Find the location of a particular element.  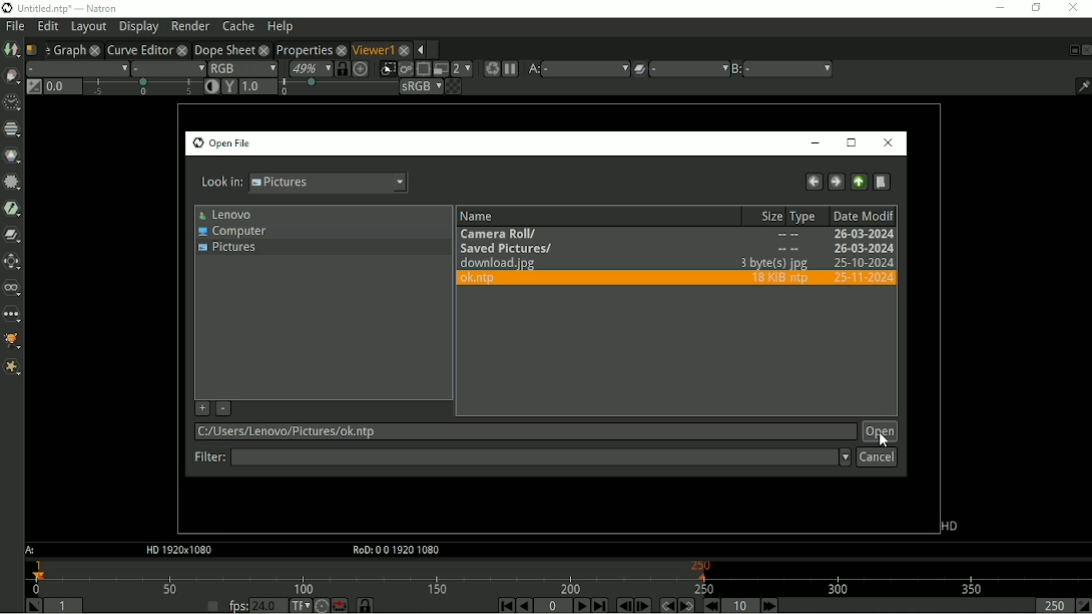

File is located at coordinates (15, 27).